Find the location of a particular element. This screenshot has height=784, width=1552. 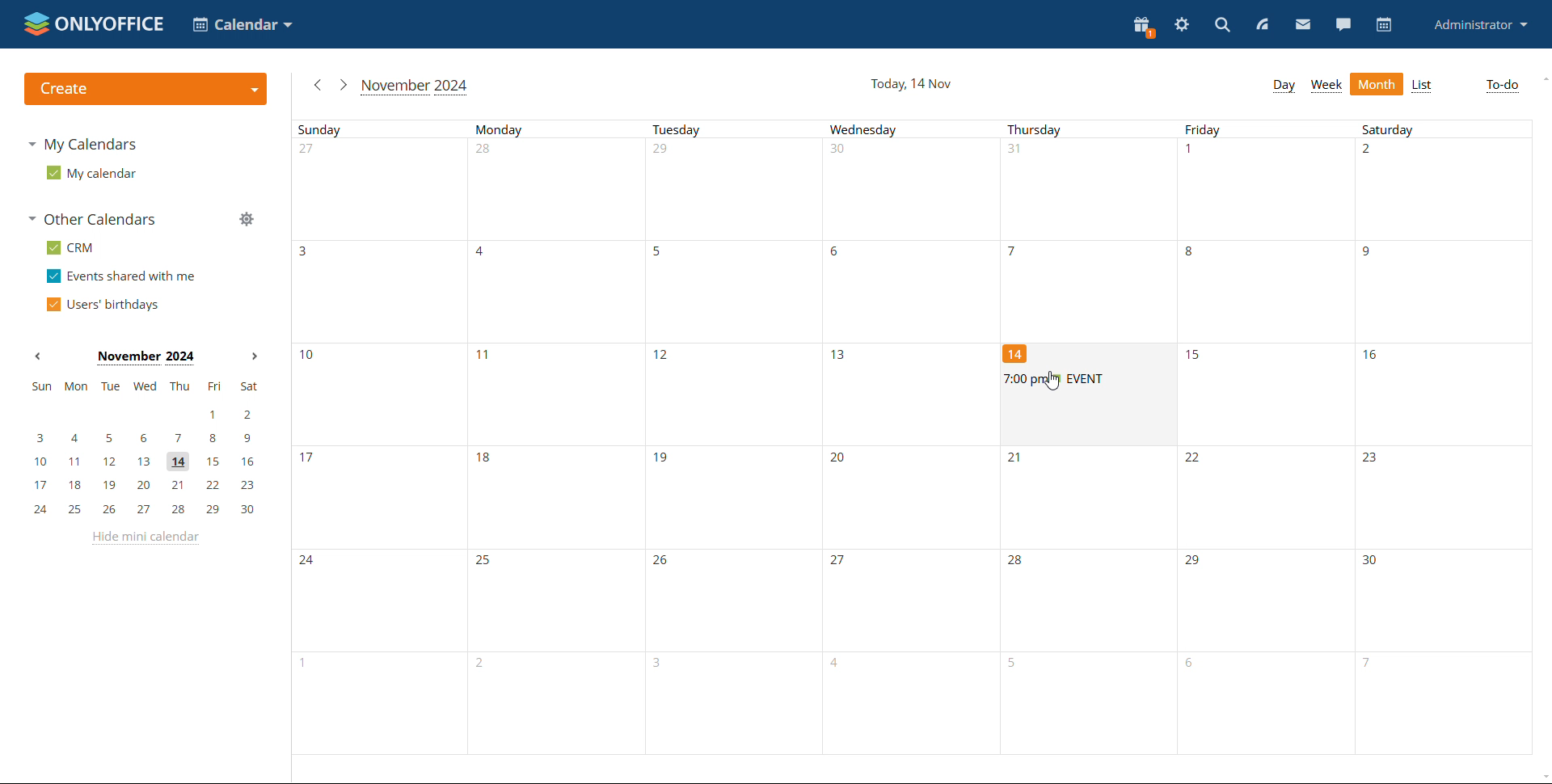

number is located at coordinates (1372, 356).